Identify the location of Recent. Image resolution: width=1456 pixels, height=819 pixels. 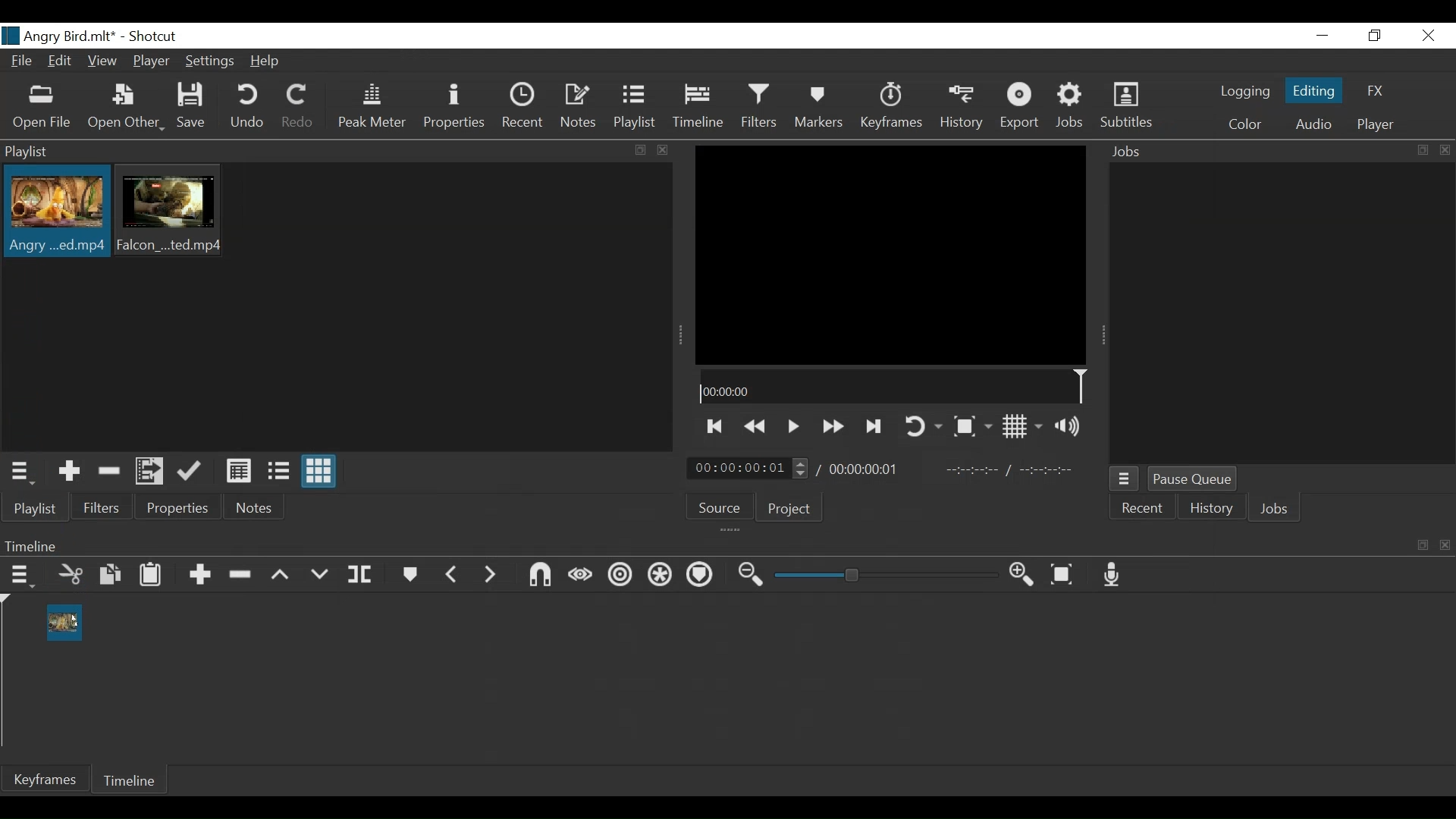
(524, 107).